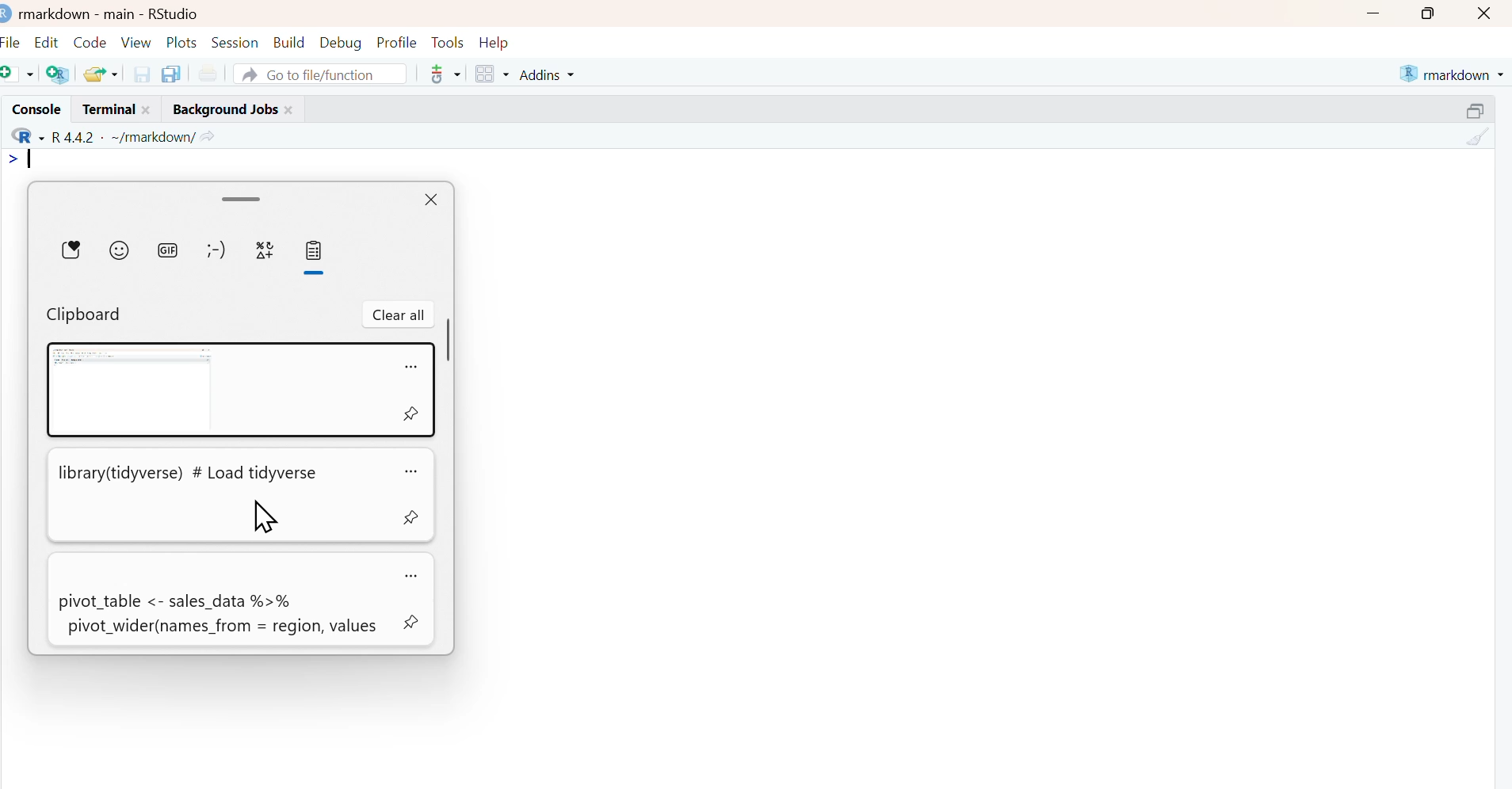  What do you see at coordinates (33, 109) in the screenshot?
I see `Console` at bounding box center [33, 109].